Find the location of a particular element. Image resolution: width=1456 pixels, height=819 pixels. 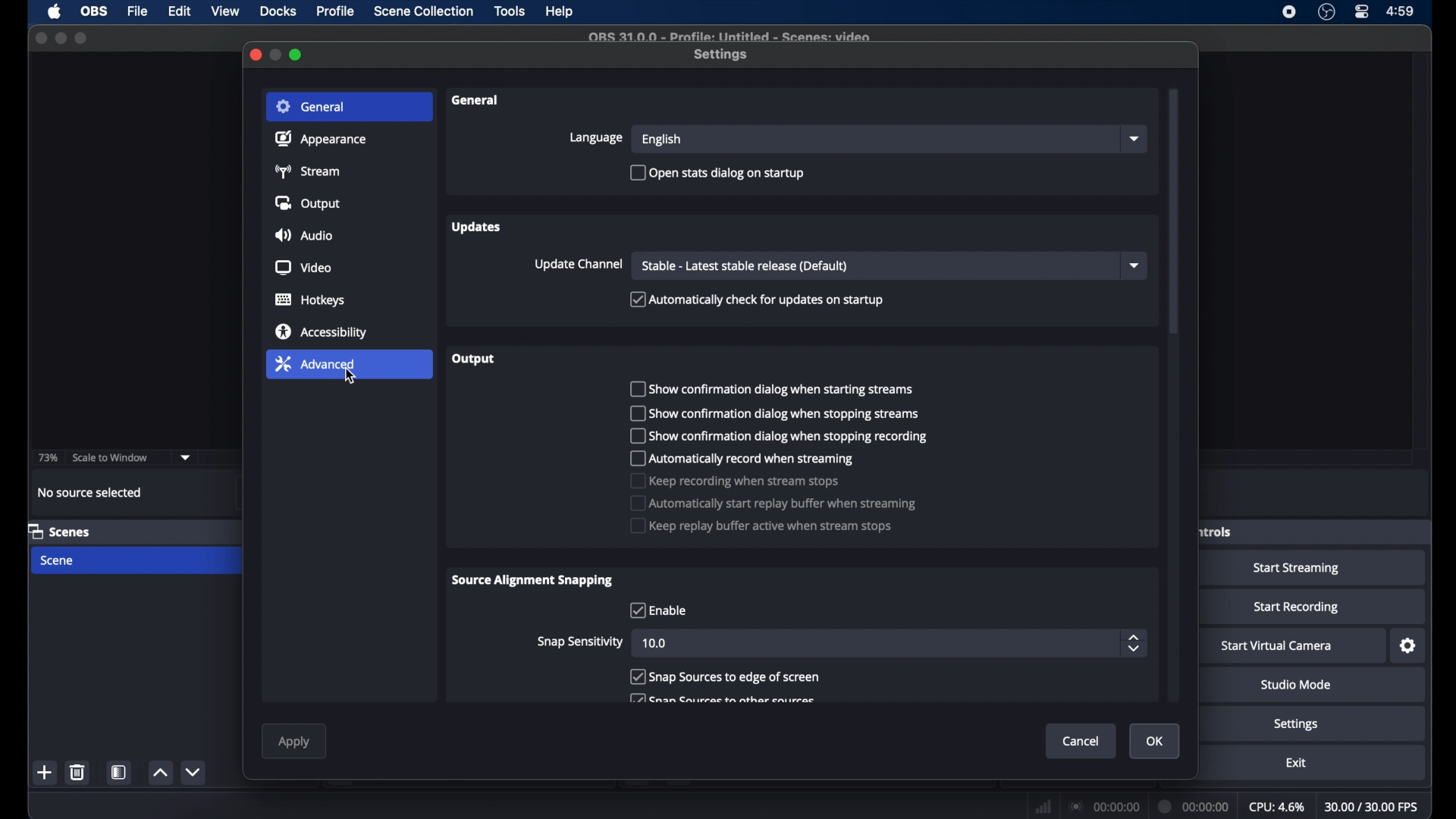

cpu: 4.6% is located at coordinates (1278, 808).